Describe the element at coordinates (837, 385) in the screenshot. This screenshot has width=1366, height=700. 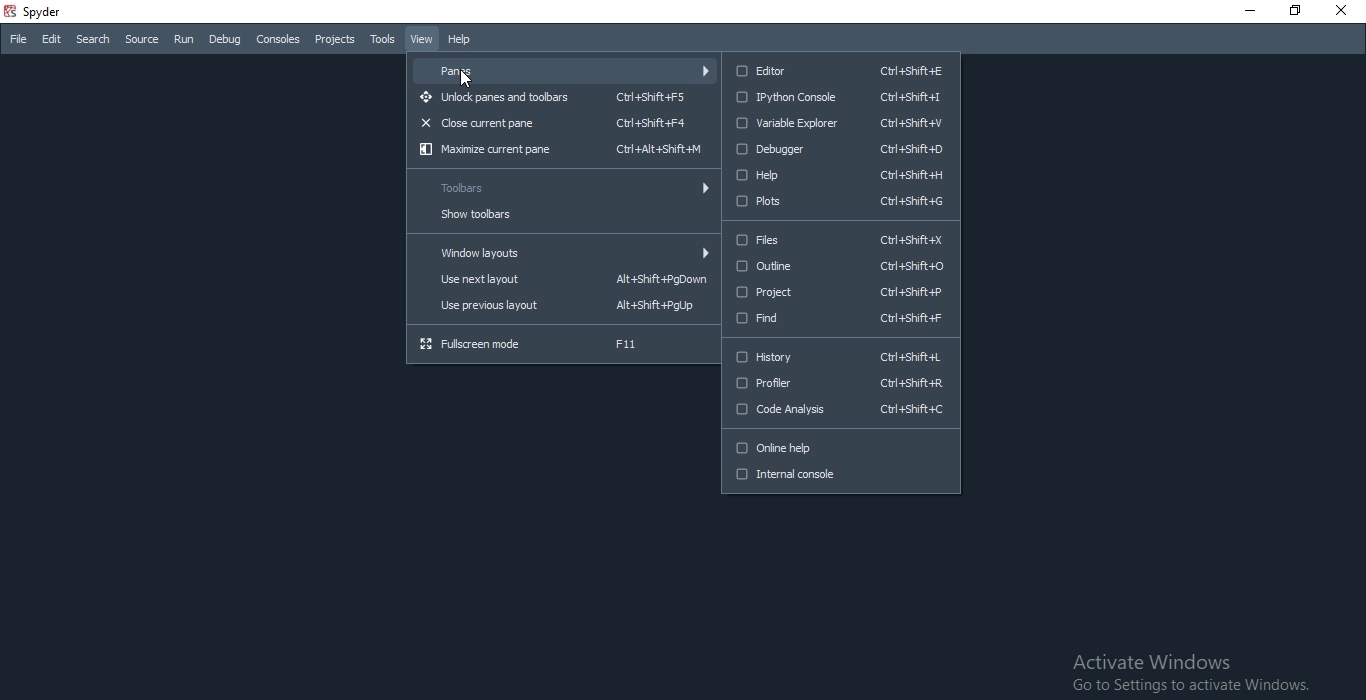
I see `Profiler` at that location.